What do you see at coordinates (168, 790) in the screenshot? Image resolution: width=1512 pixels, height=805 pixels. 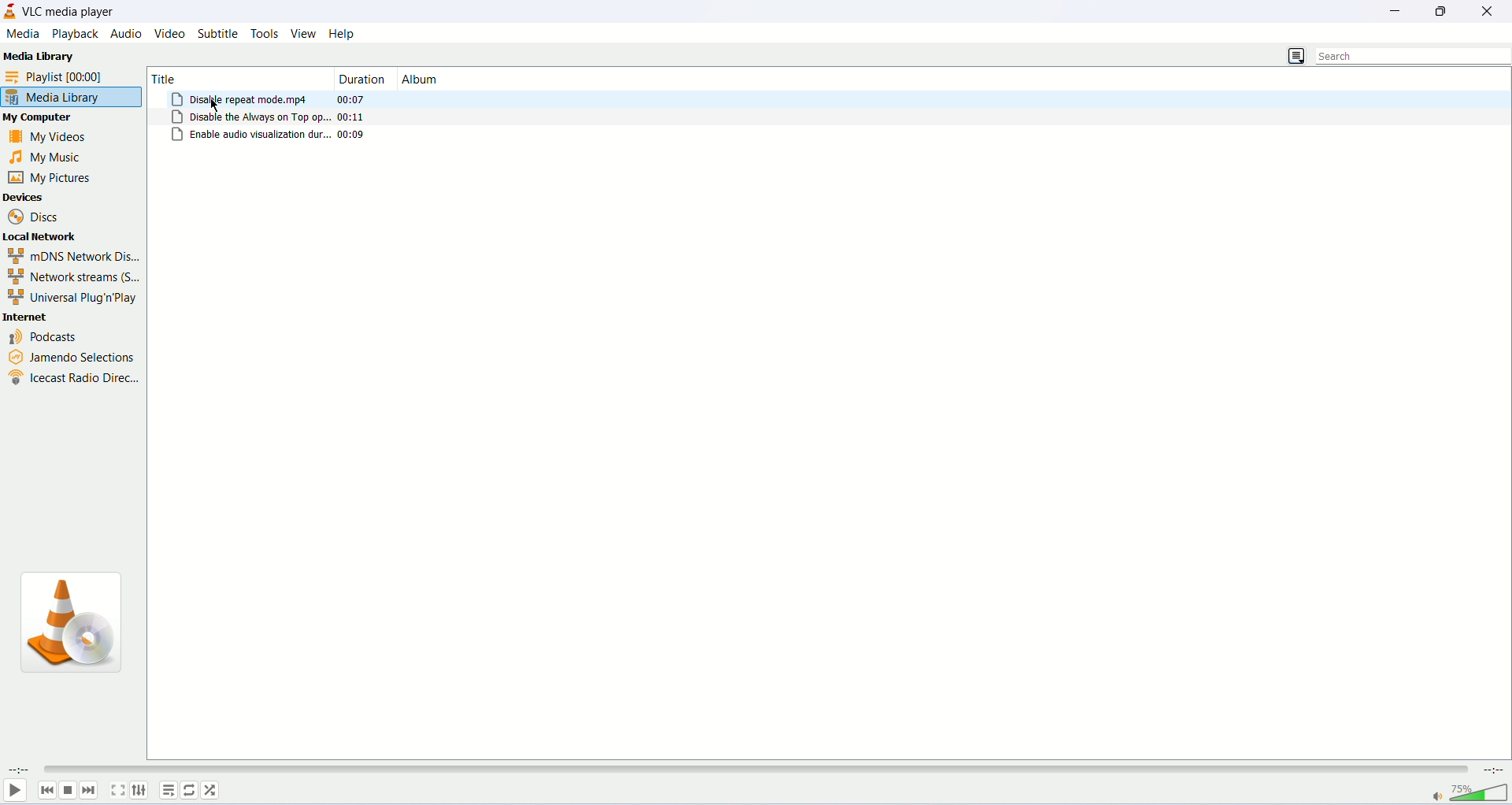 I see `playlist` at bounding box center [168, 790].